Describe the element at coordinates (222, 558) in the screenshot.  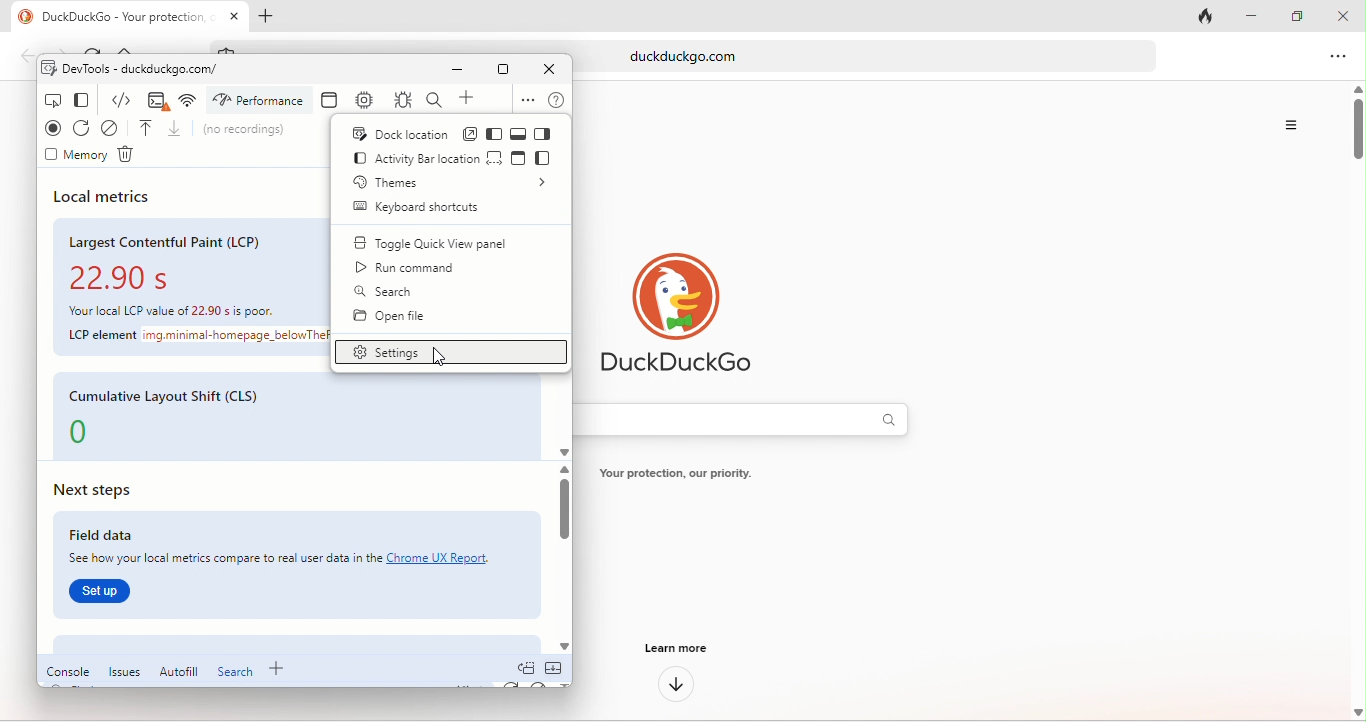
I see `See how your local metrics compare to real user data in the` at that location.